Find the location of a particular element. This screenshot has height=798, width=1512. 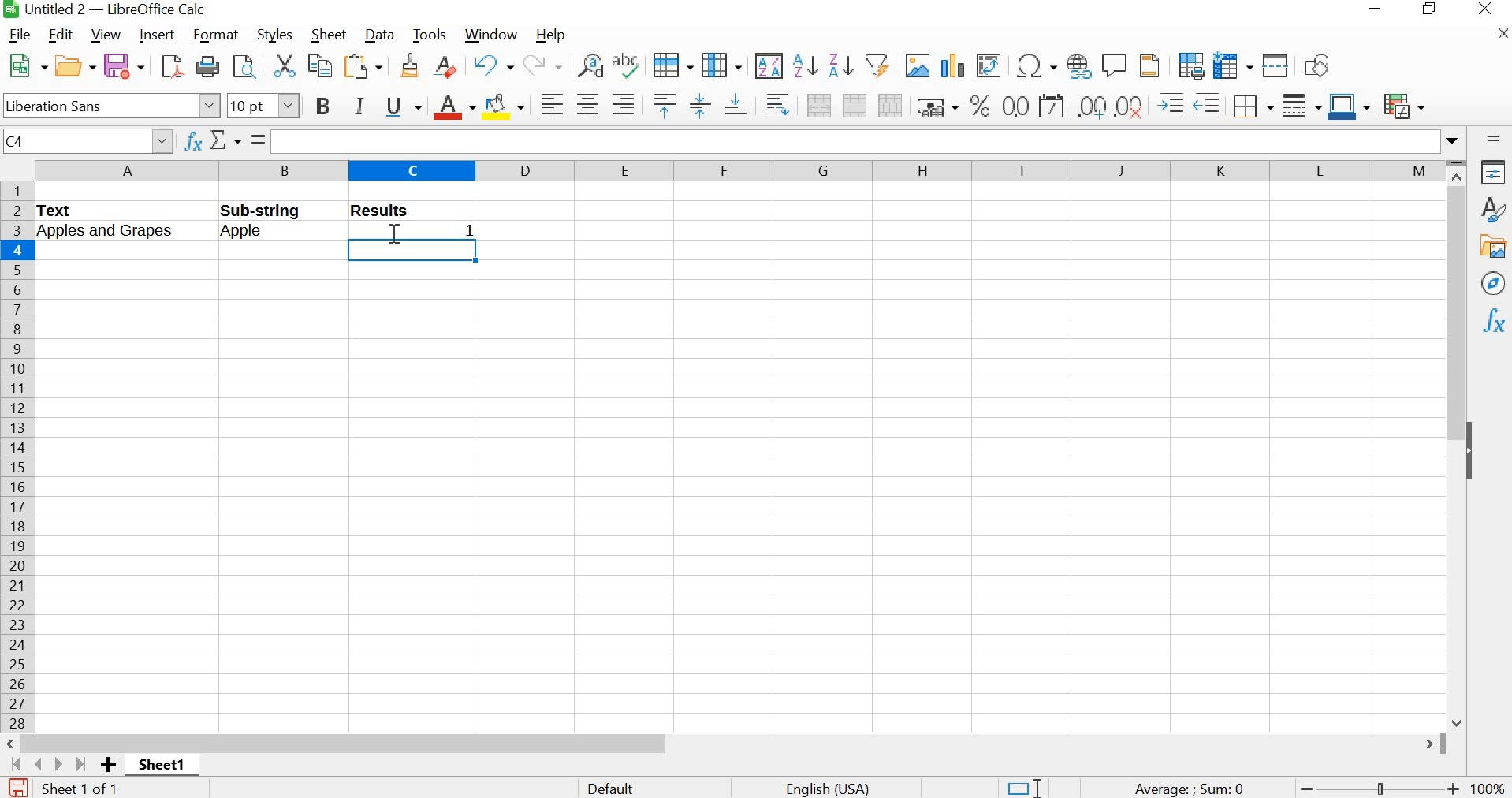

insert hyperlink is located at coordinates (1077, 65).